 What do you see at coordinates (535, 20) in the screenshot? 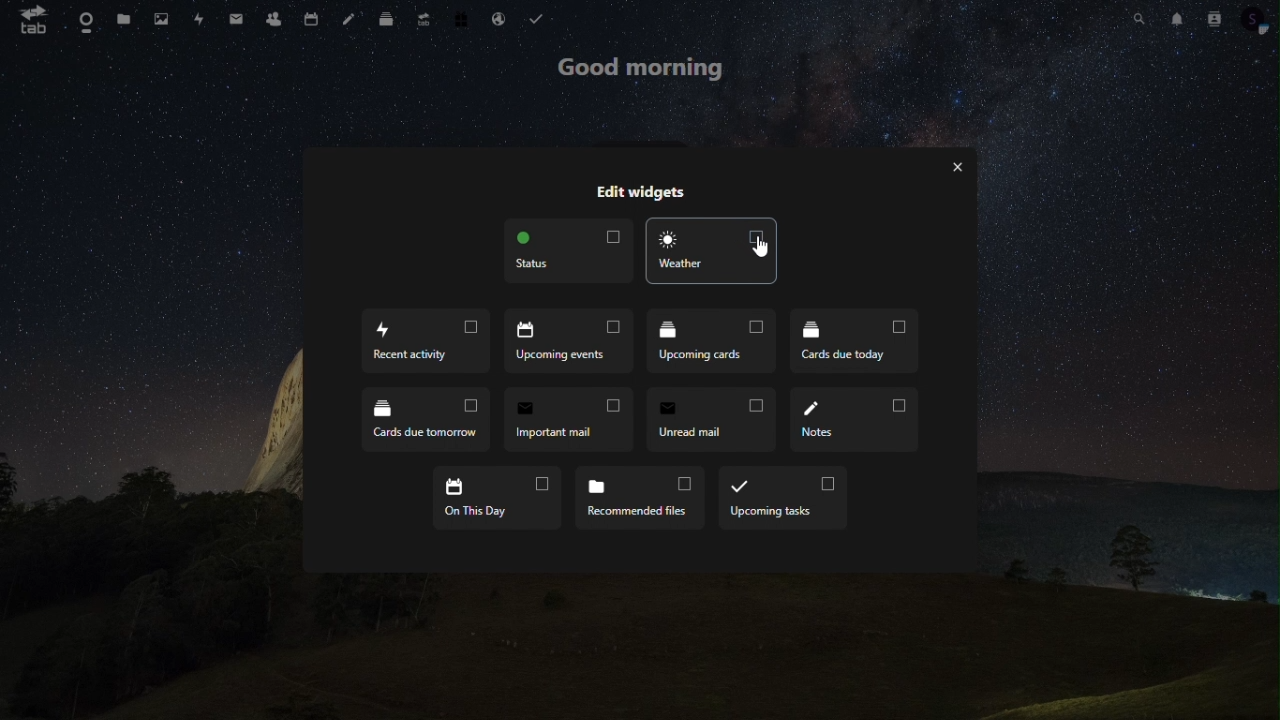
I see `tasks` at bounding box center [535, 20].